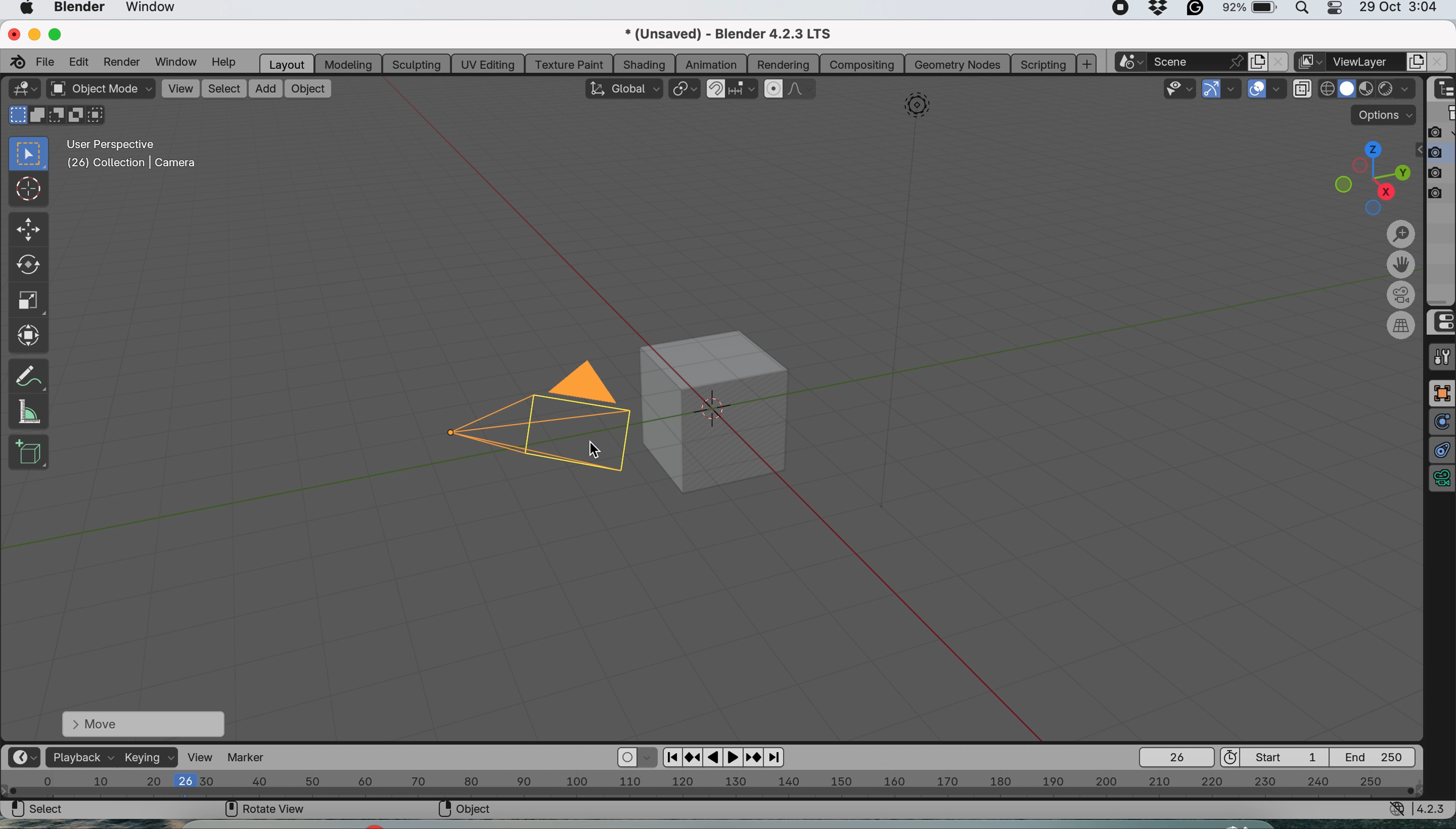 Image resolution: width=1456 pixels, height=829 pixels. I want to click on auto keying, so click(627, 758).